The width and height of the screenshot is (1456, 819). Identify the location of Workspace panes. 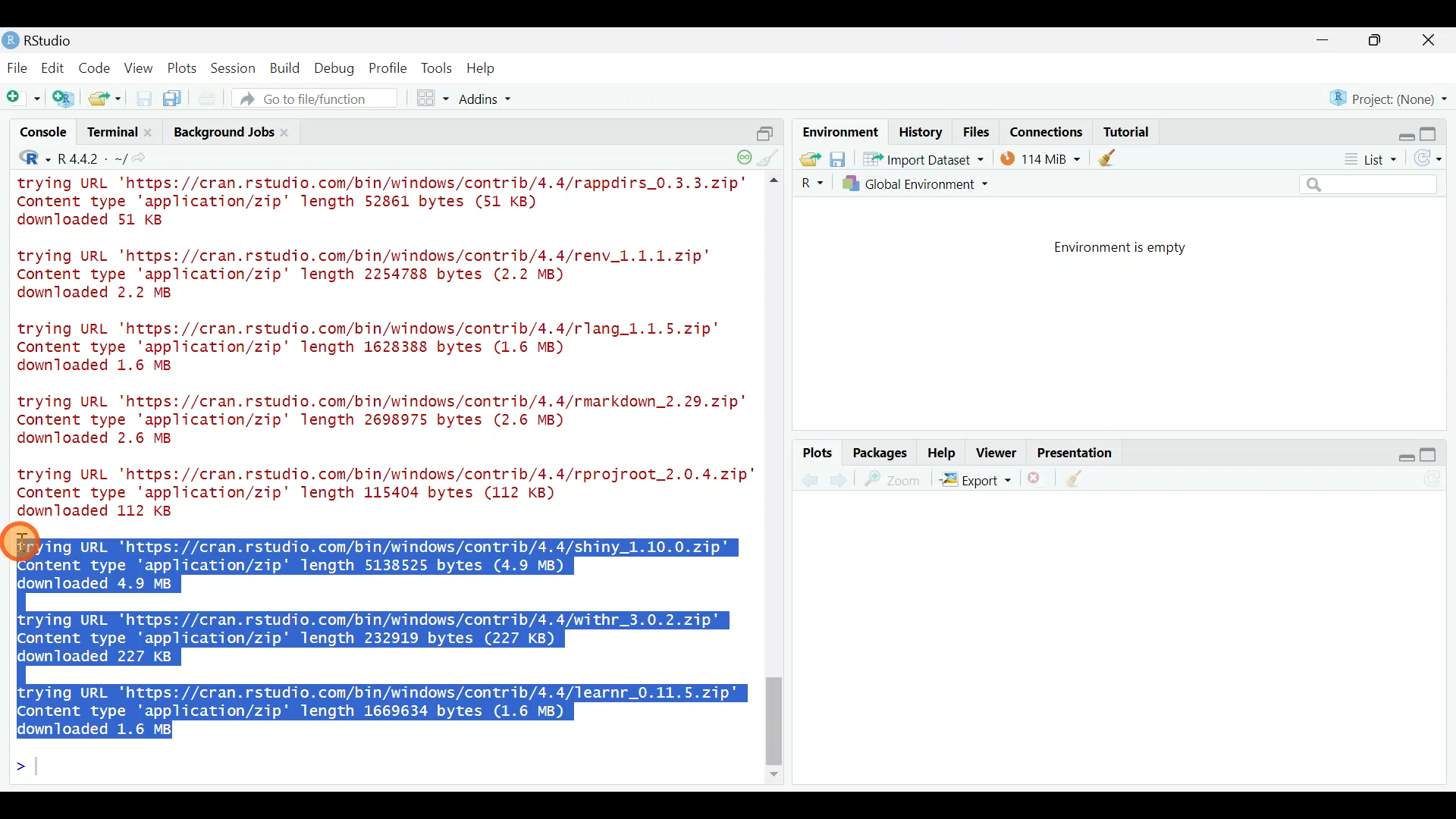
(434, 99).